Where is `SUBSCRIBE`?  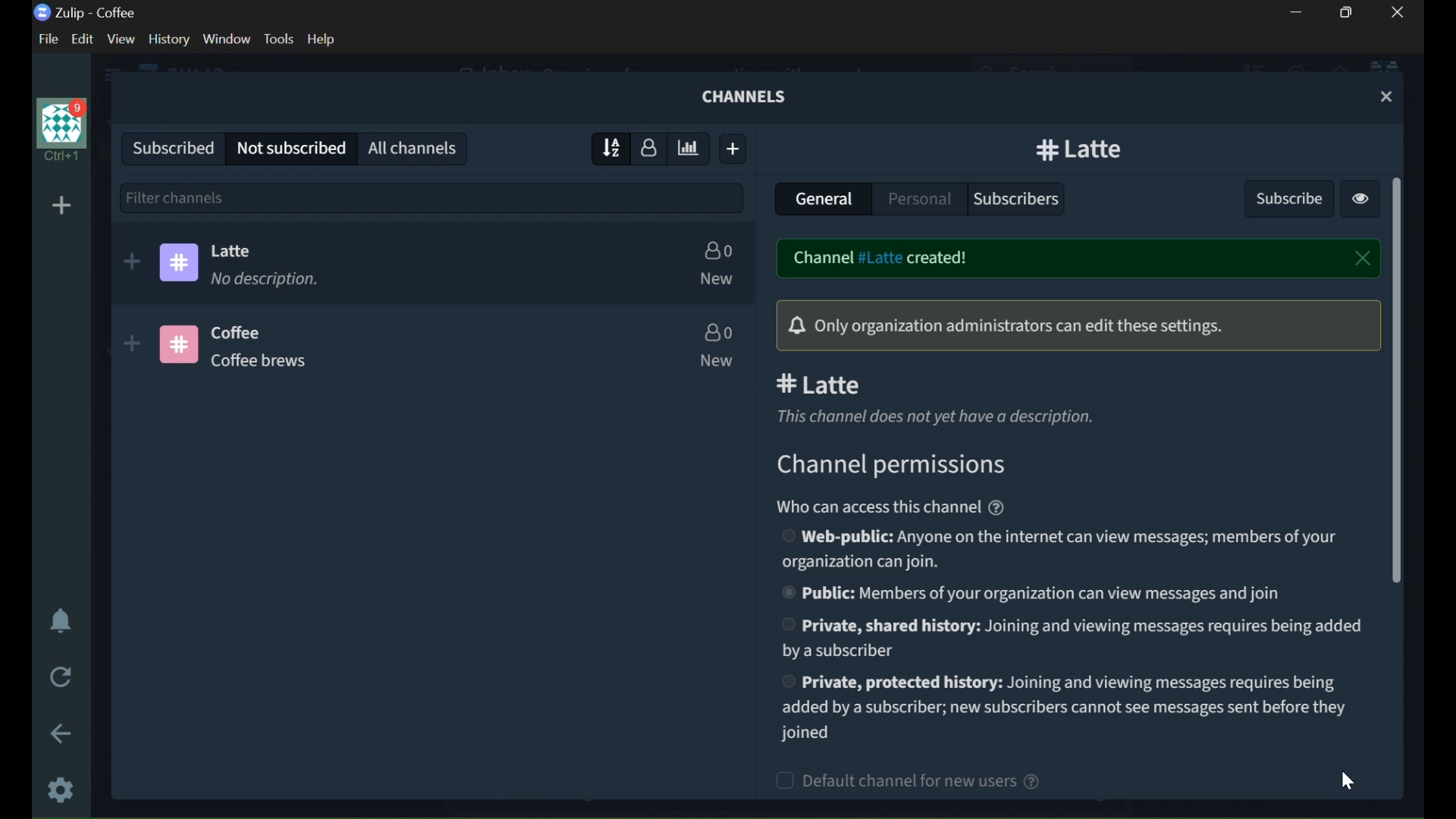 SUBSCRIBE is located at coordinates (1285, 196).